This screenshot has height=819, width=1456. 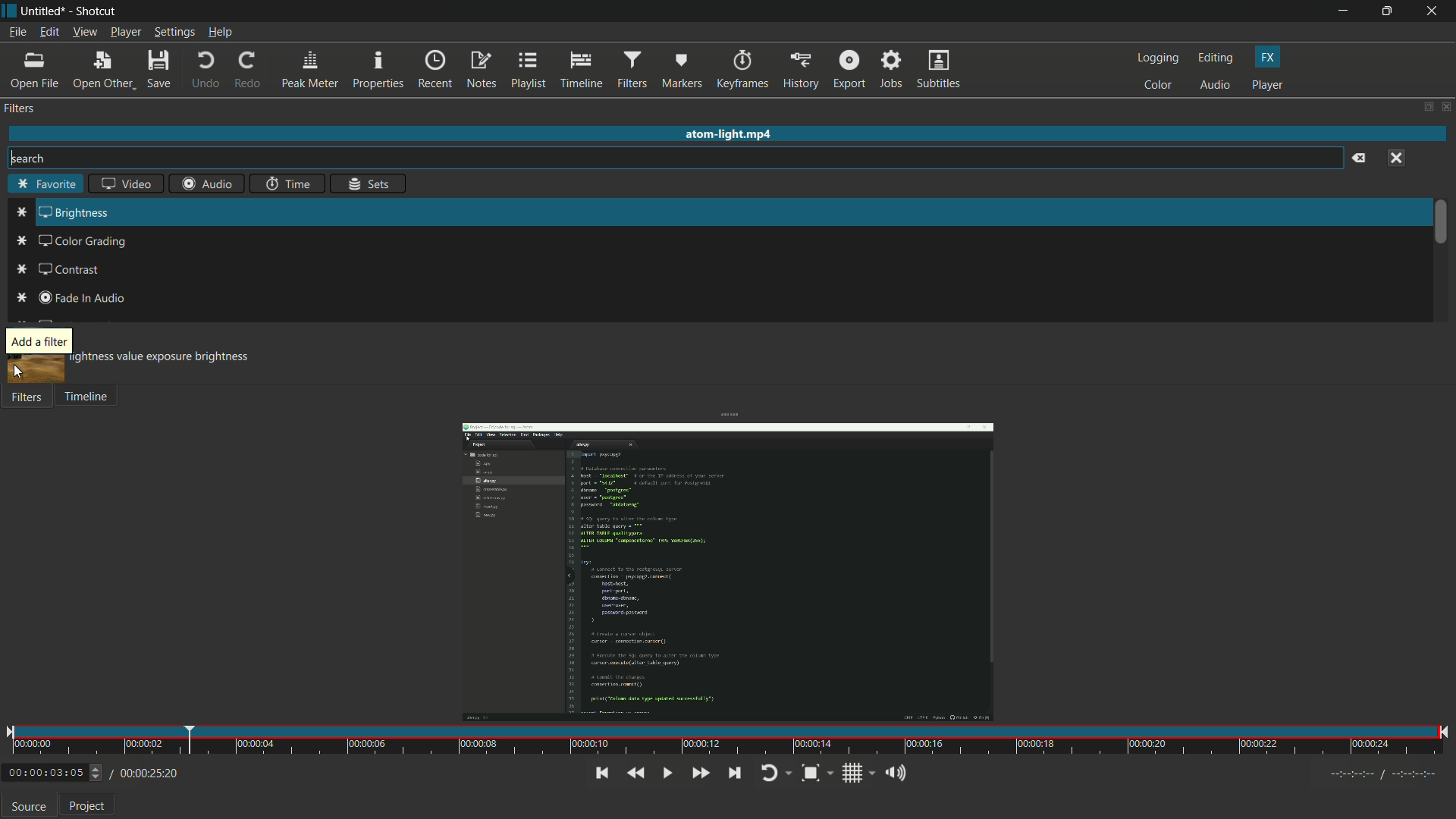 What do you see at coordinates (1215, 86) in the screenshot?
I see `audio` at bounding box center [1215, 86].